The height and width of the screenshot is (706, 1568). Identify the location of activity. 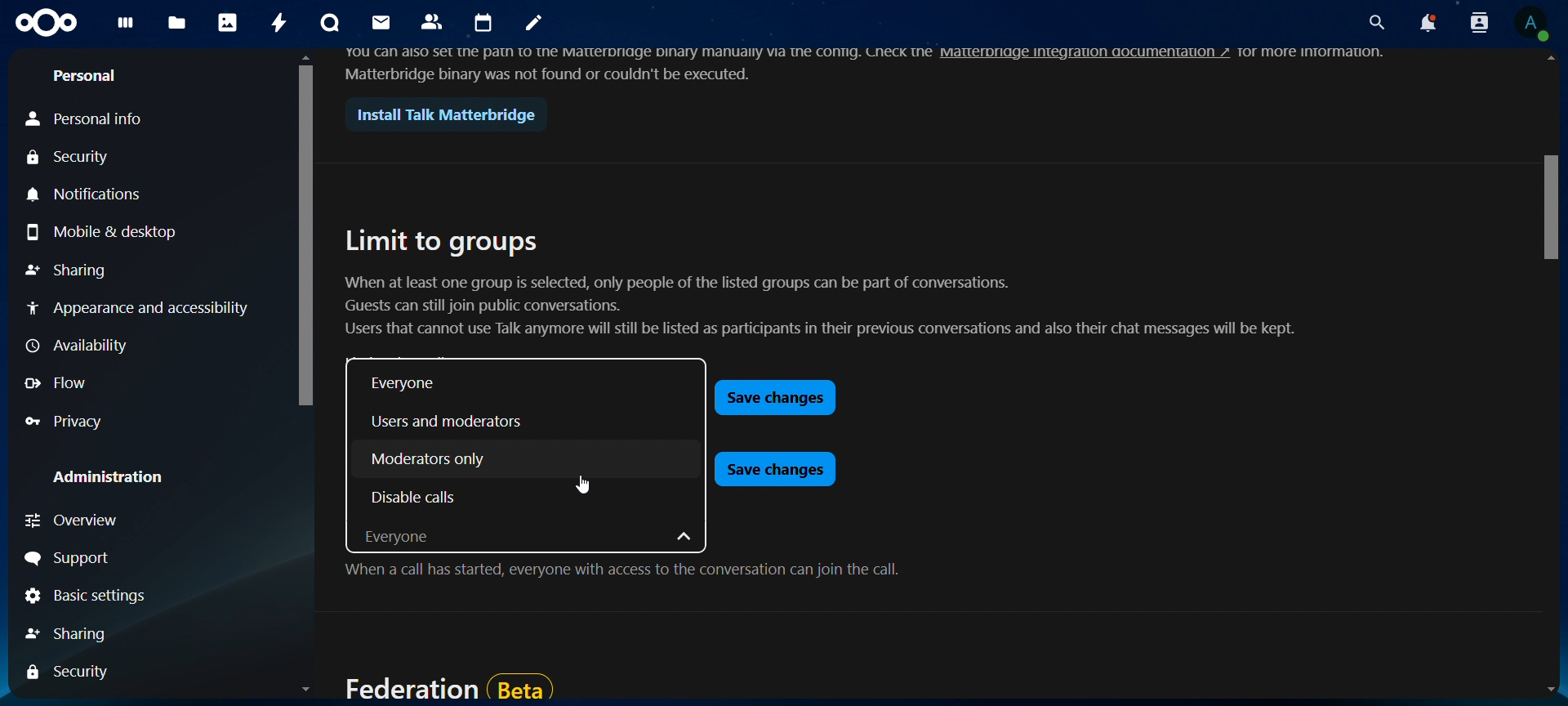
(280, 22).